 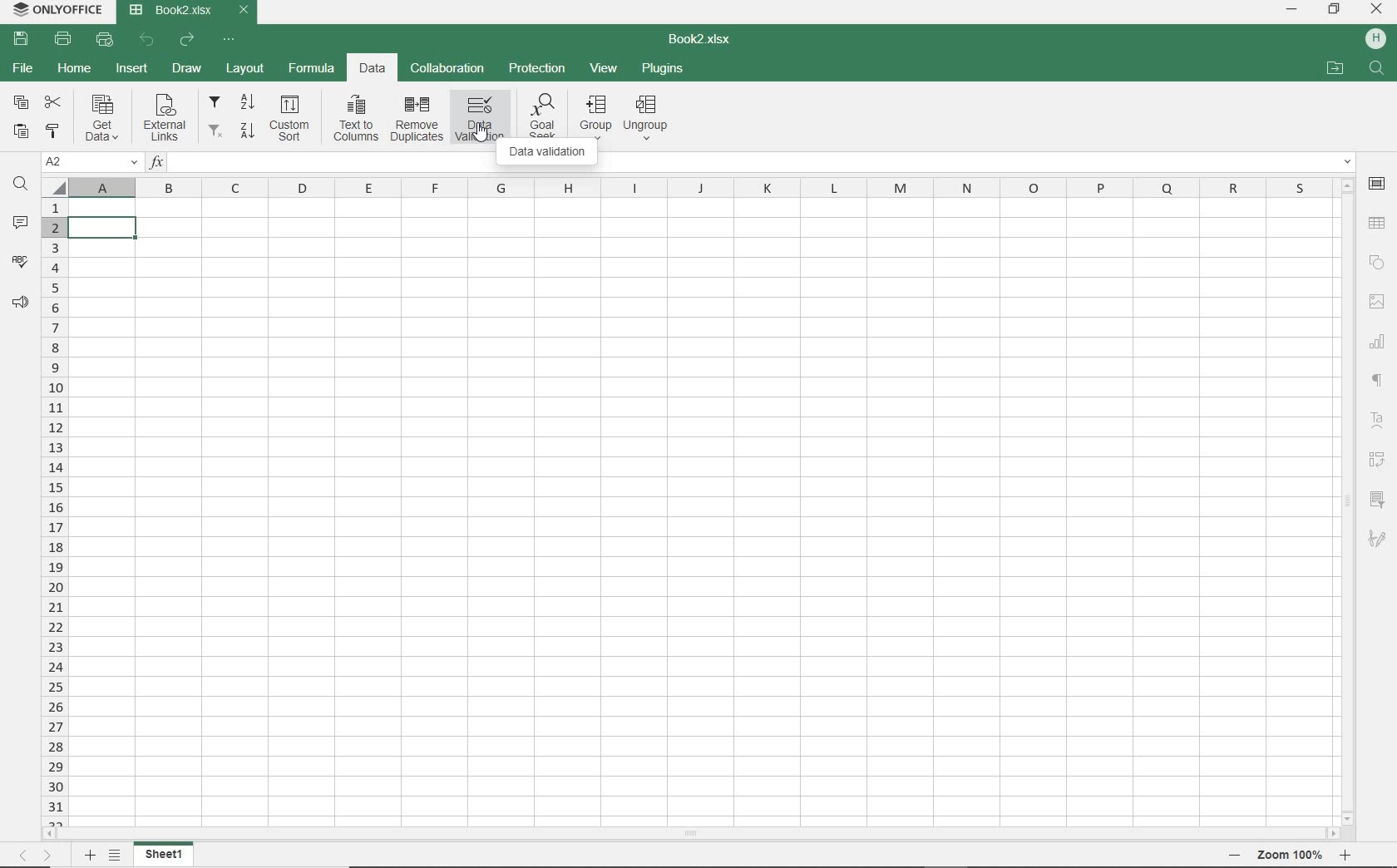 What do you see at coordinates (24, 131) in the screenshot?
I see `PASTE` at bounding box center [24, 131].